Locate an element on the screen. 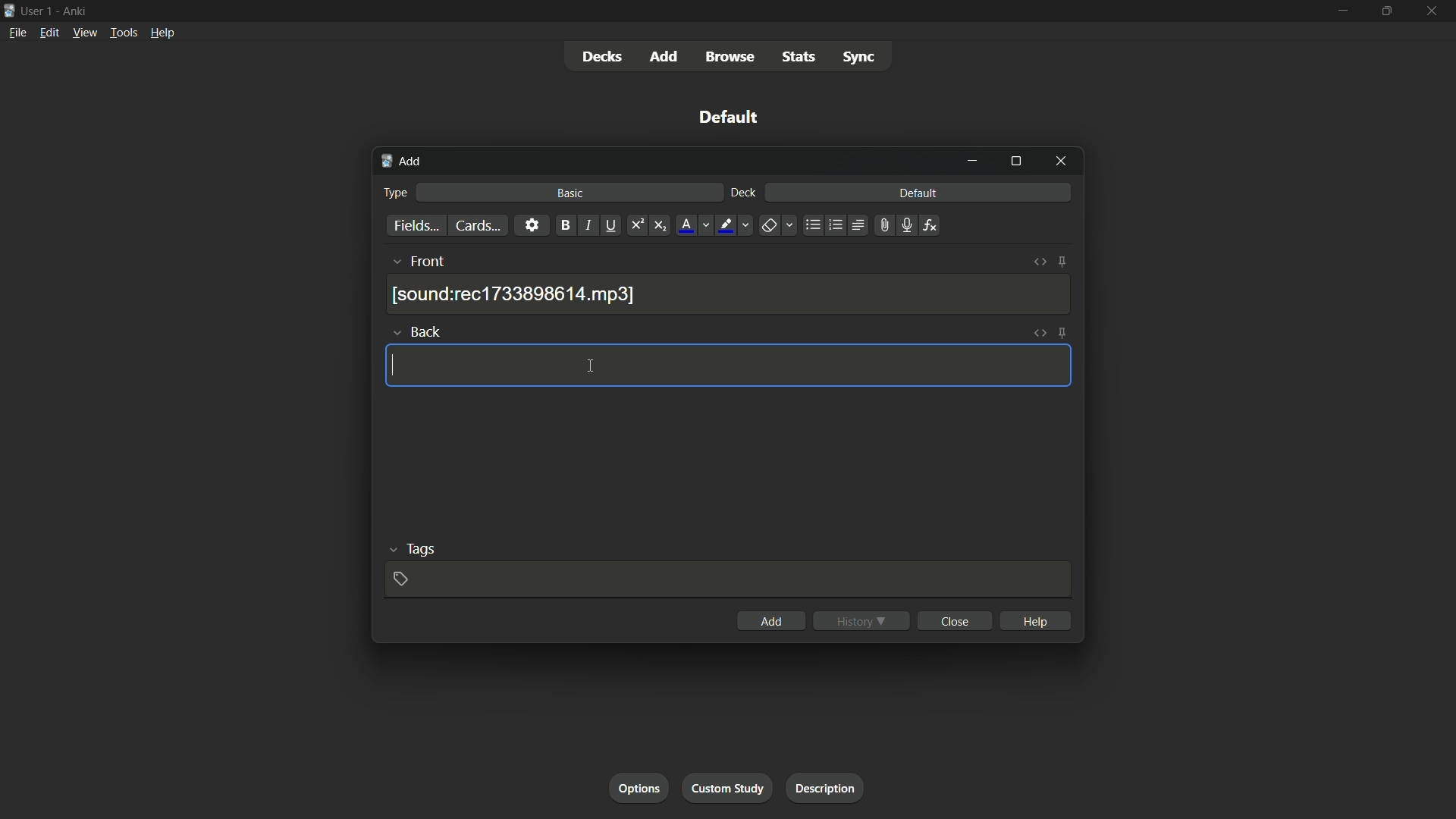 The height and width of the screenshot is (819, 1456). stats is located at coordinates (802, 58).